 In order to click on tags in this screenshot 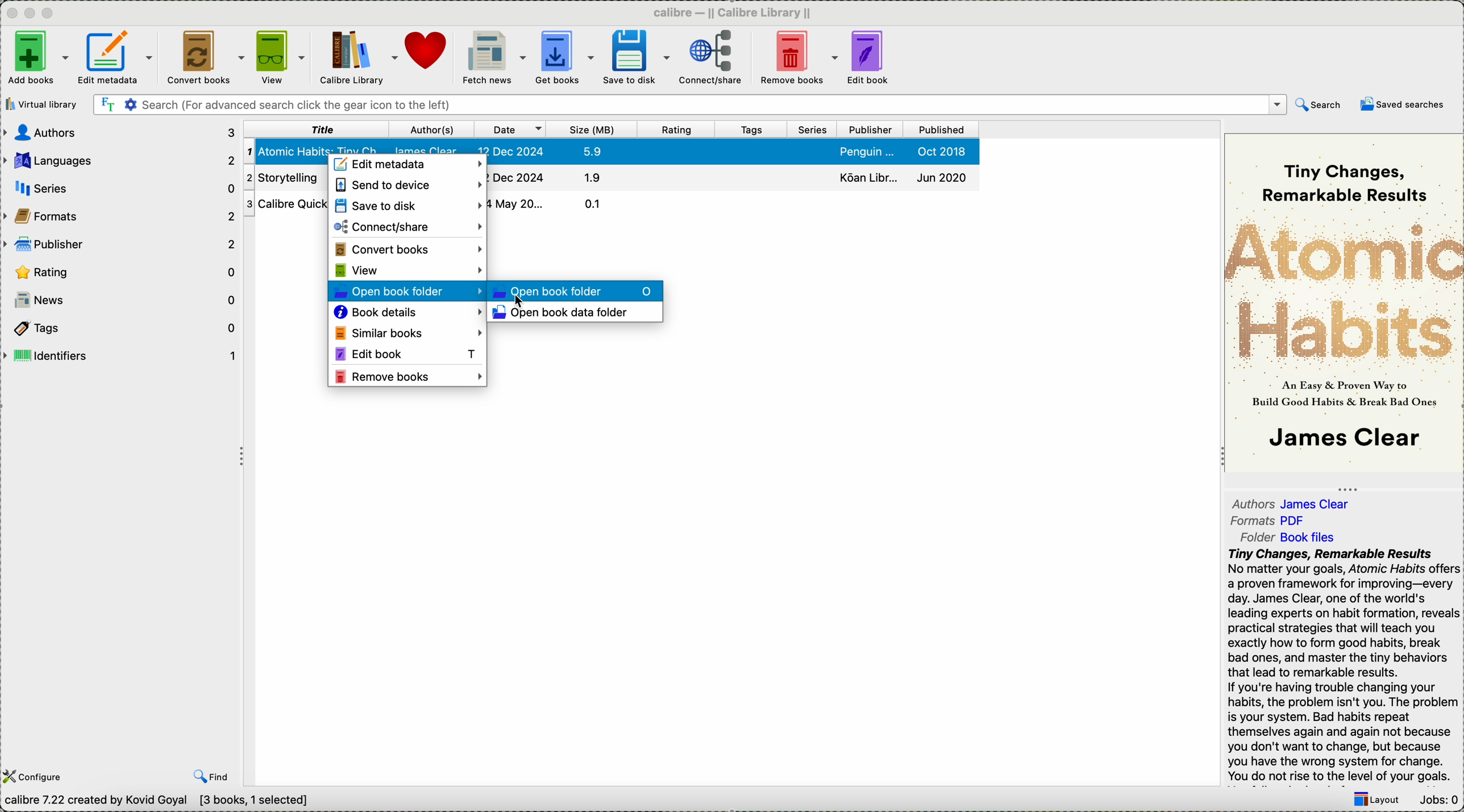, I will do `click(754, 130)`.